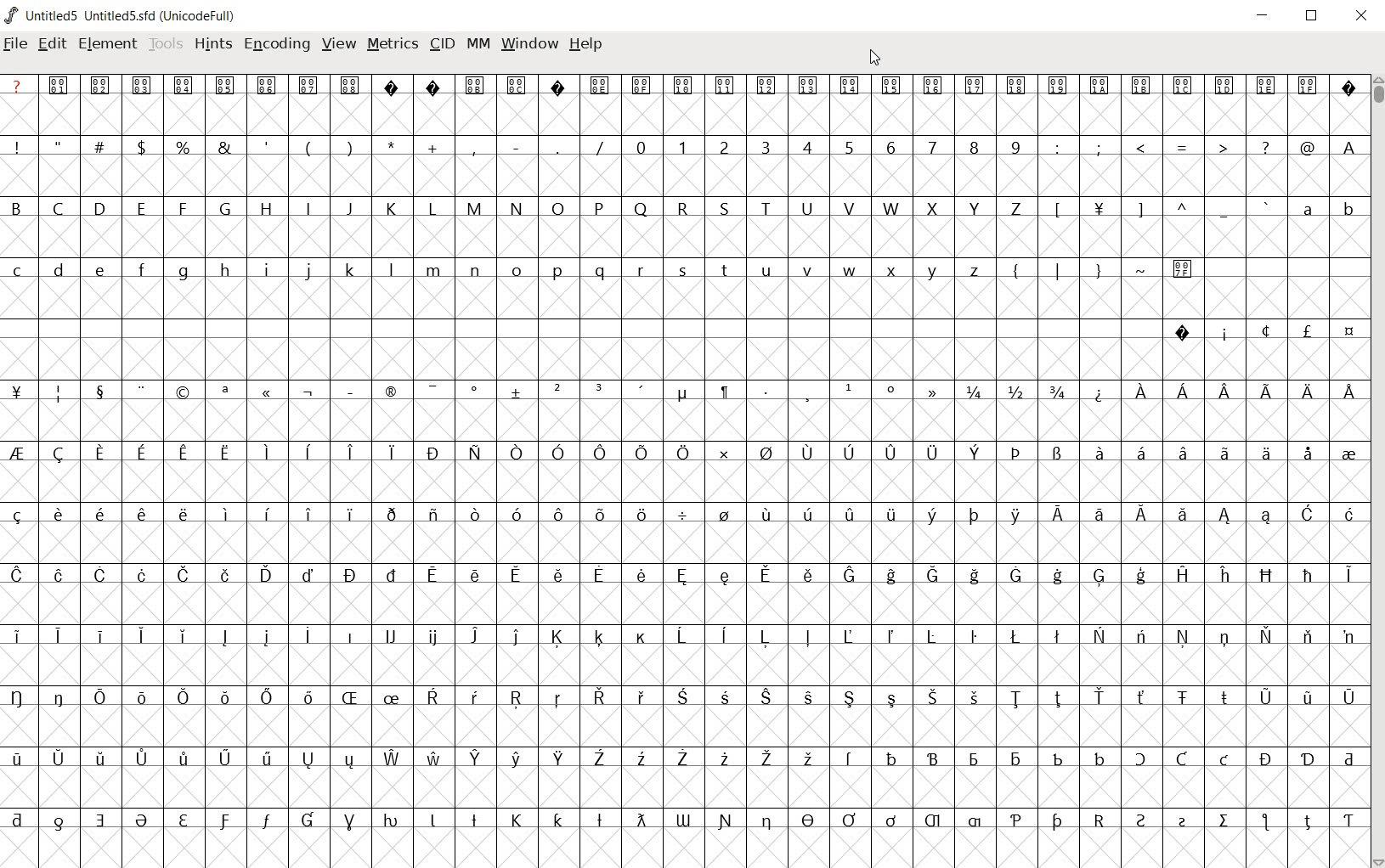 This screenshot has width=1385, height=868. What do you see at coordinates (1014, 390) in the screenshot?
I see `1/2` at bounding box center [1014, 390].